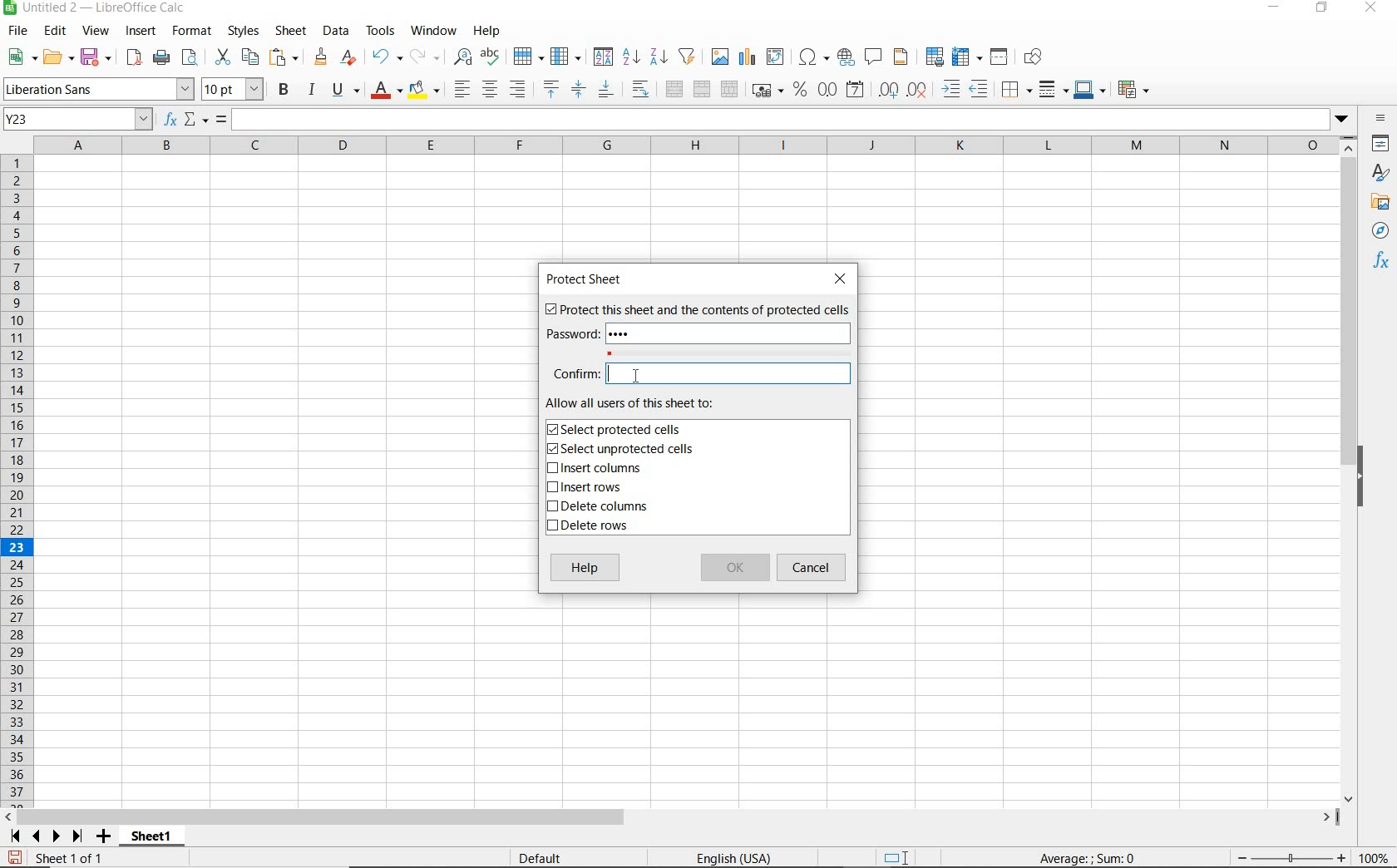  I want to click on ALIGN RIGHT, so click(517, 90).